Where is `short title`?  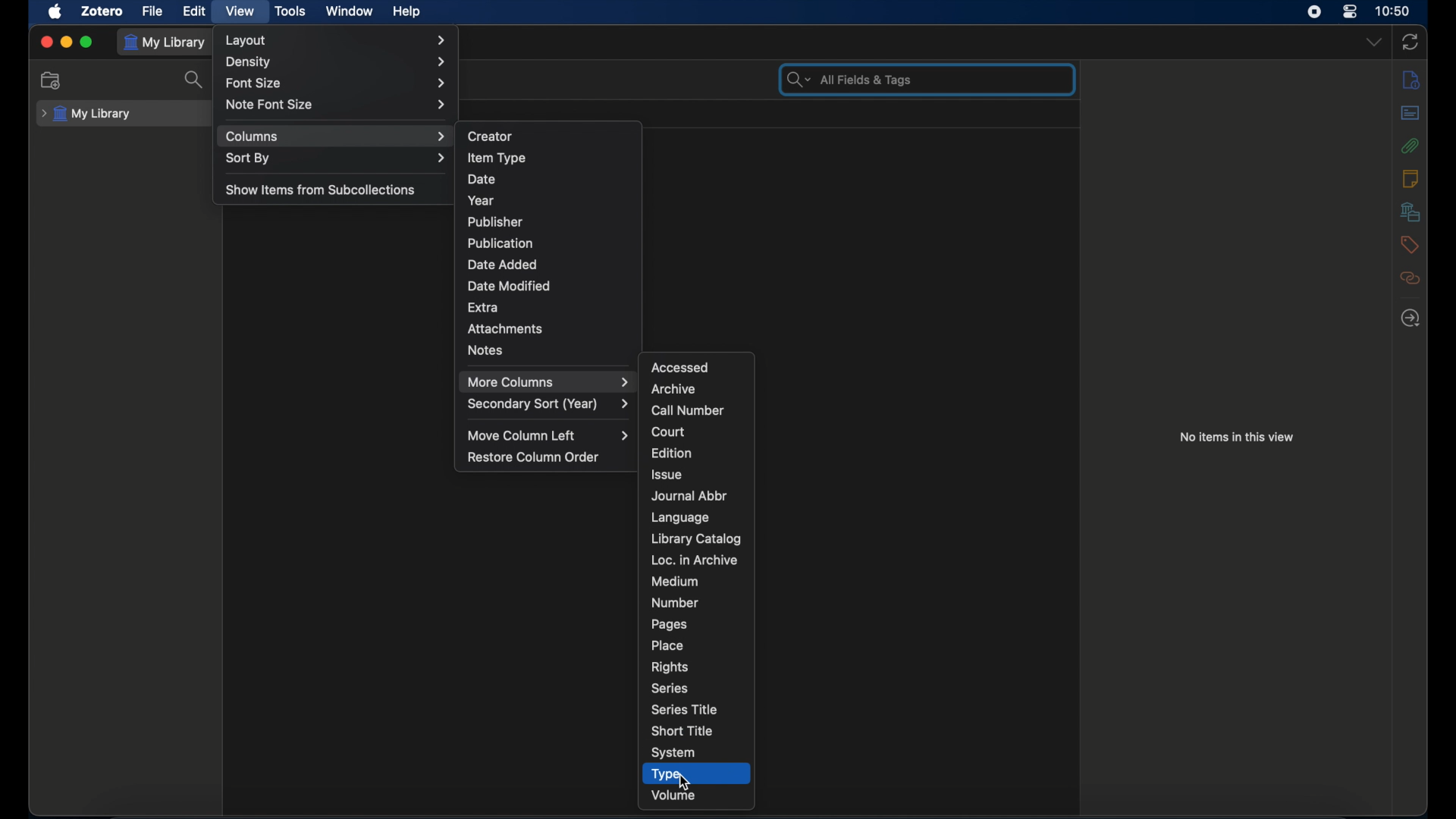
short title is located at coordinates (681, 731).